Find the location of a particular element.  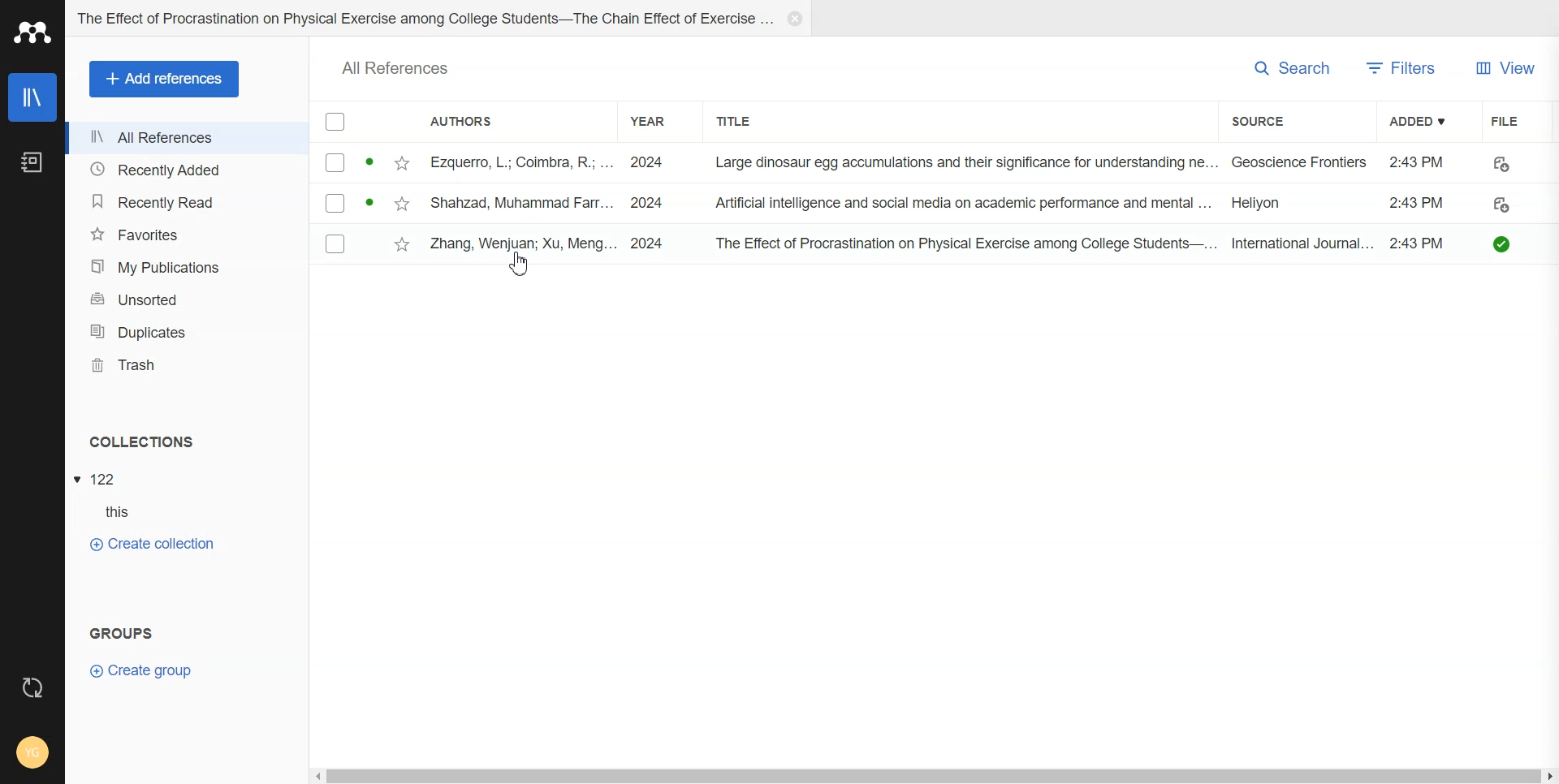

Favorite is located at coordinates (405, 201).